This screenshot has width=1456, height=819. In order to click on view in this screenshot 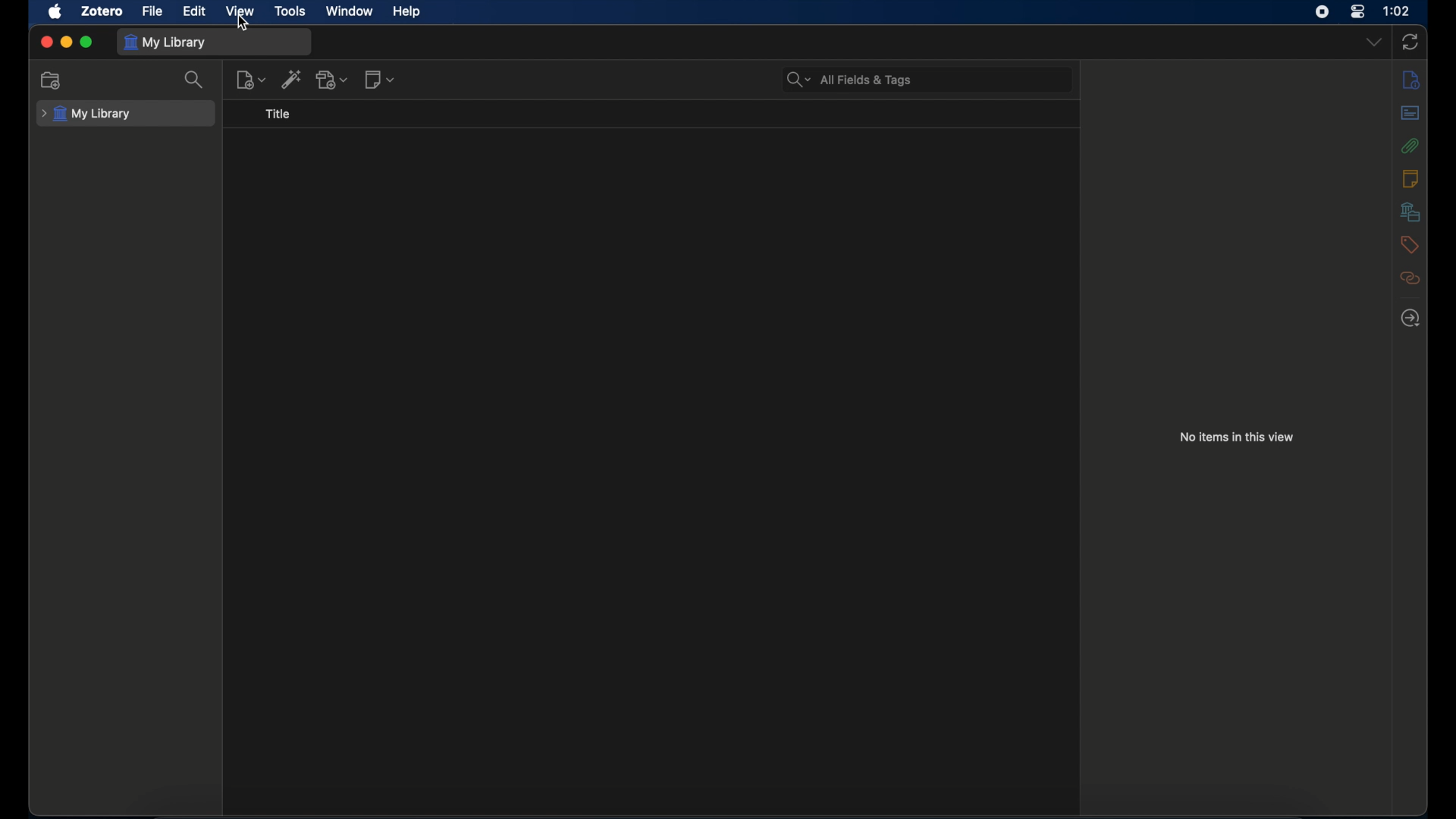, I will do `click(238, 11)`.